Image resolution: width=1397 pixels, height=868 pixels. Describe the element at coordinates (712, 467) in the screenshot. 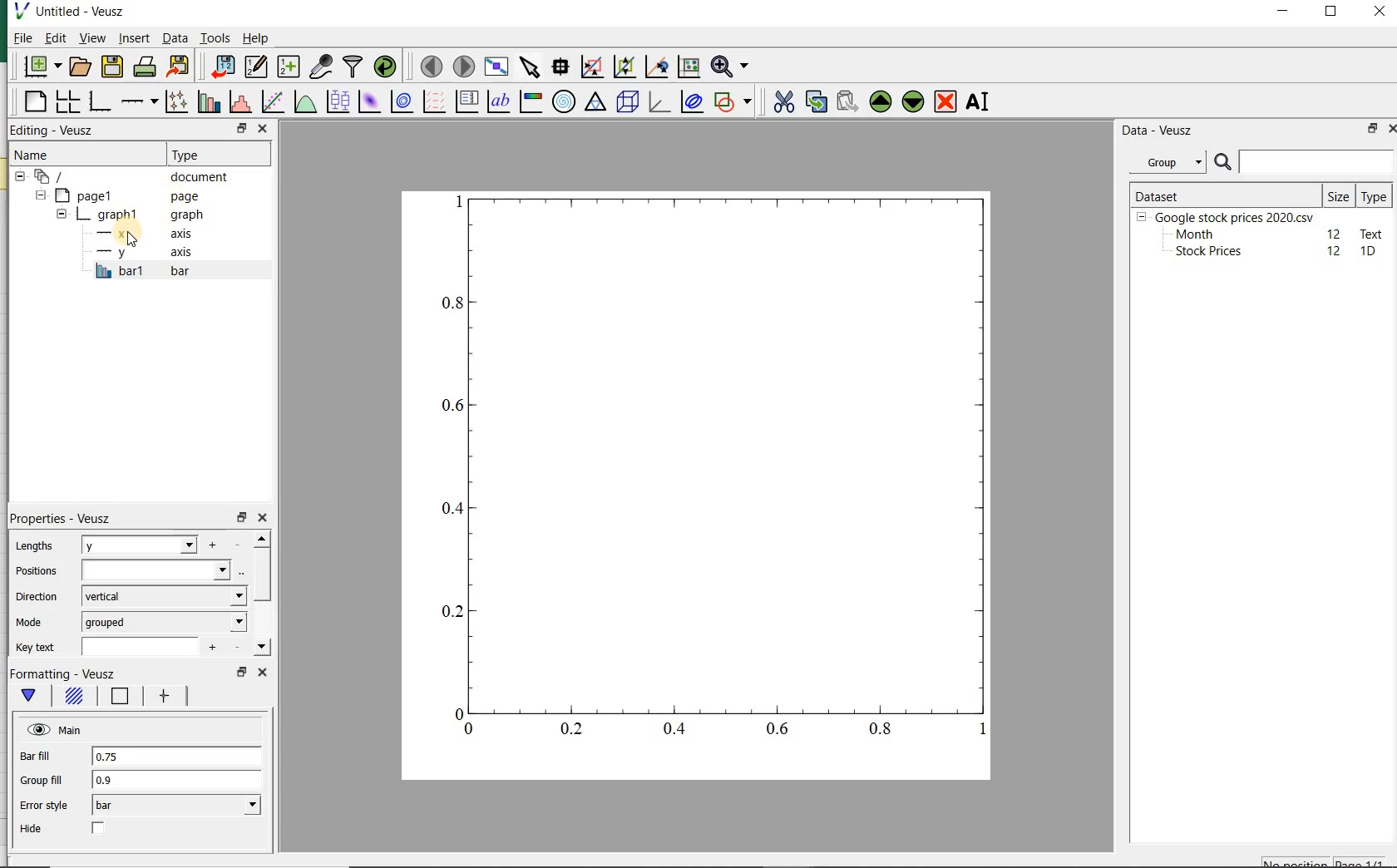

I see `graph` at that location.